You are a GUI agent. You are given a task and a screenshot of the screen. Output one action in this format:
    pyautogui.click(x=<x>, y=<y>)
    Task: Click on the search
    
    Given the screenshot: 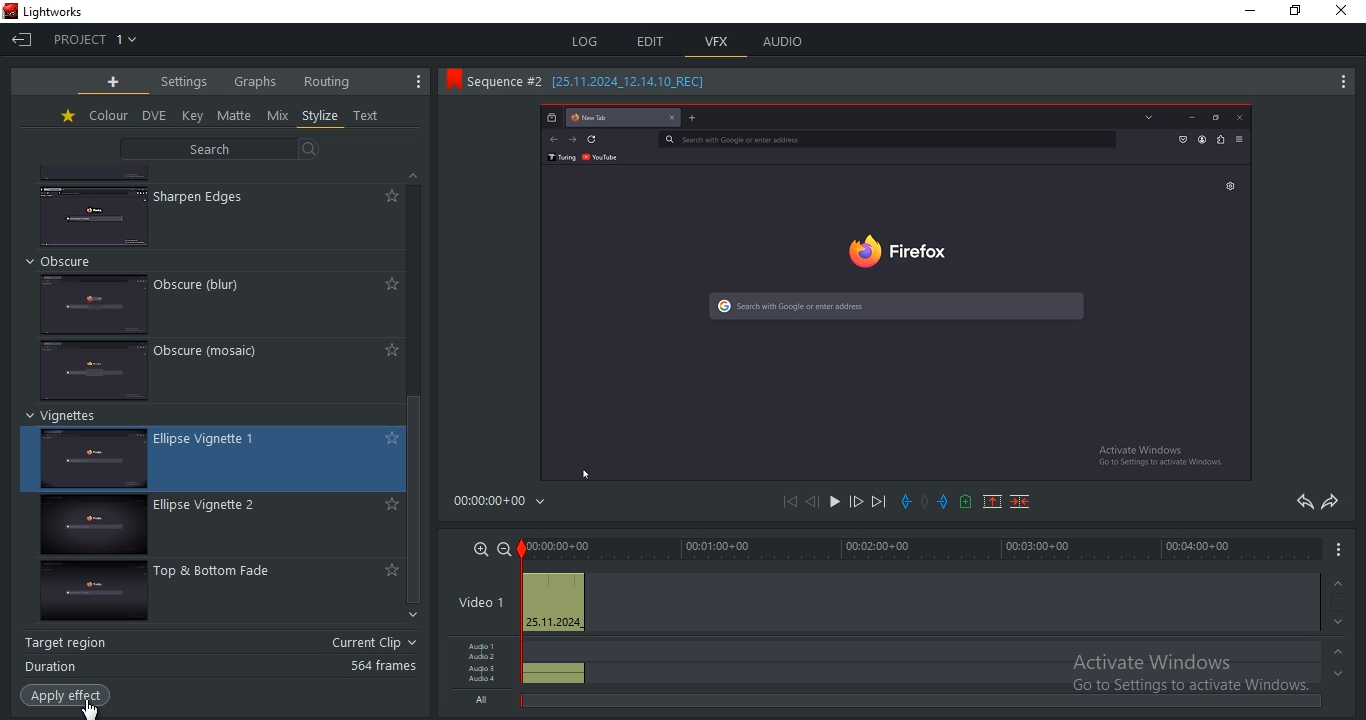 What is the action you would take?
    pyautogui.click(x=220, y=149)
    